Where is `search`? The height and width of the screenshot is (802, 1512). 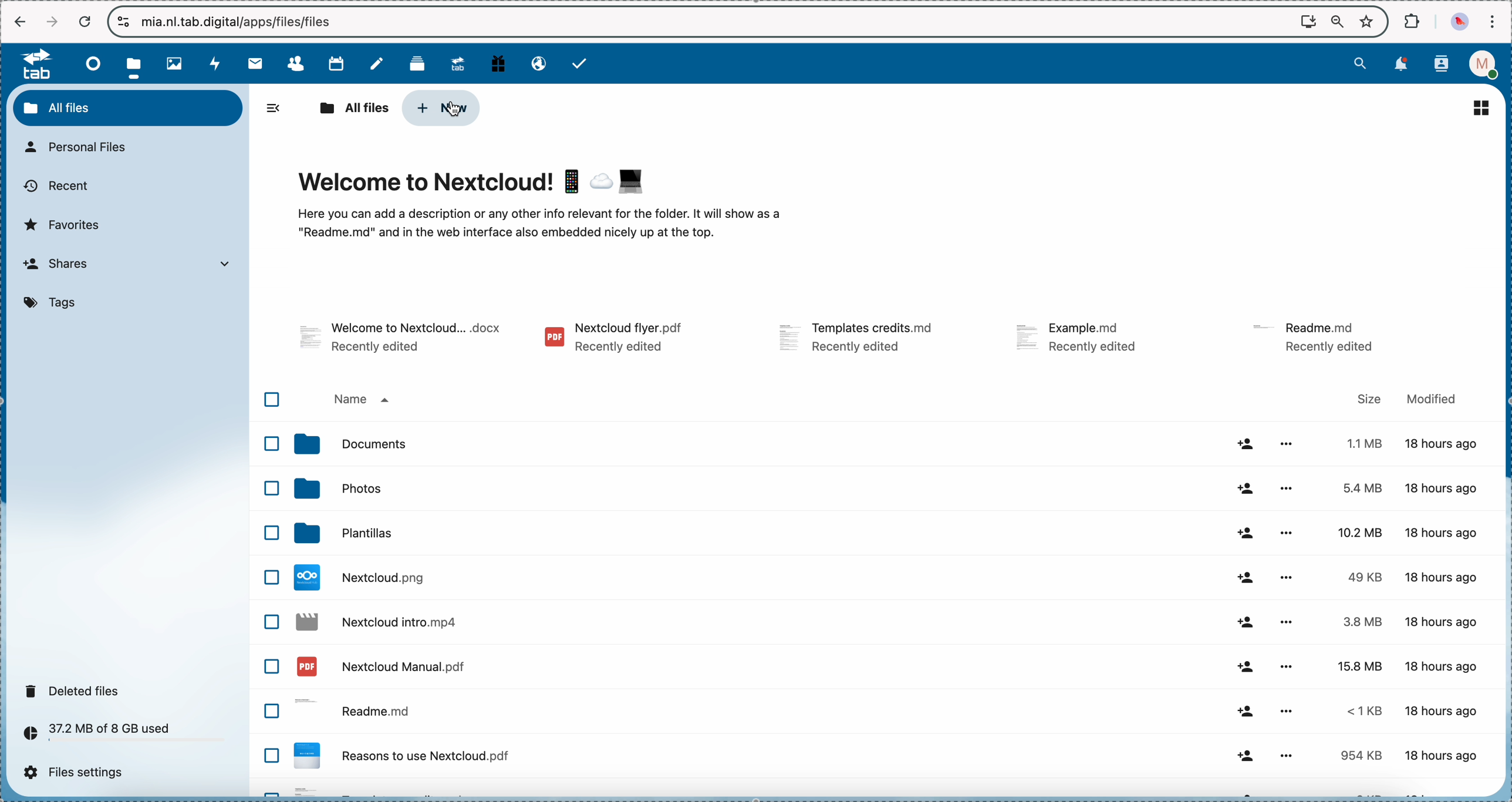 search is located at coordinates (1360, 62).